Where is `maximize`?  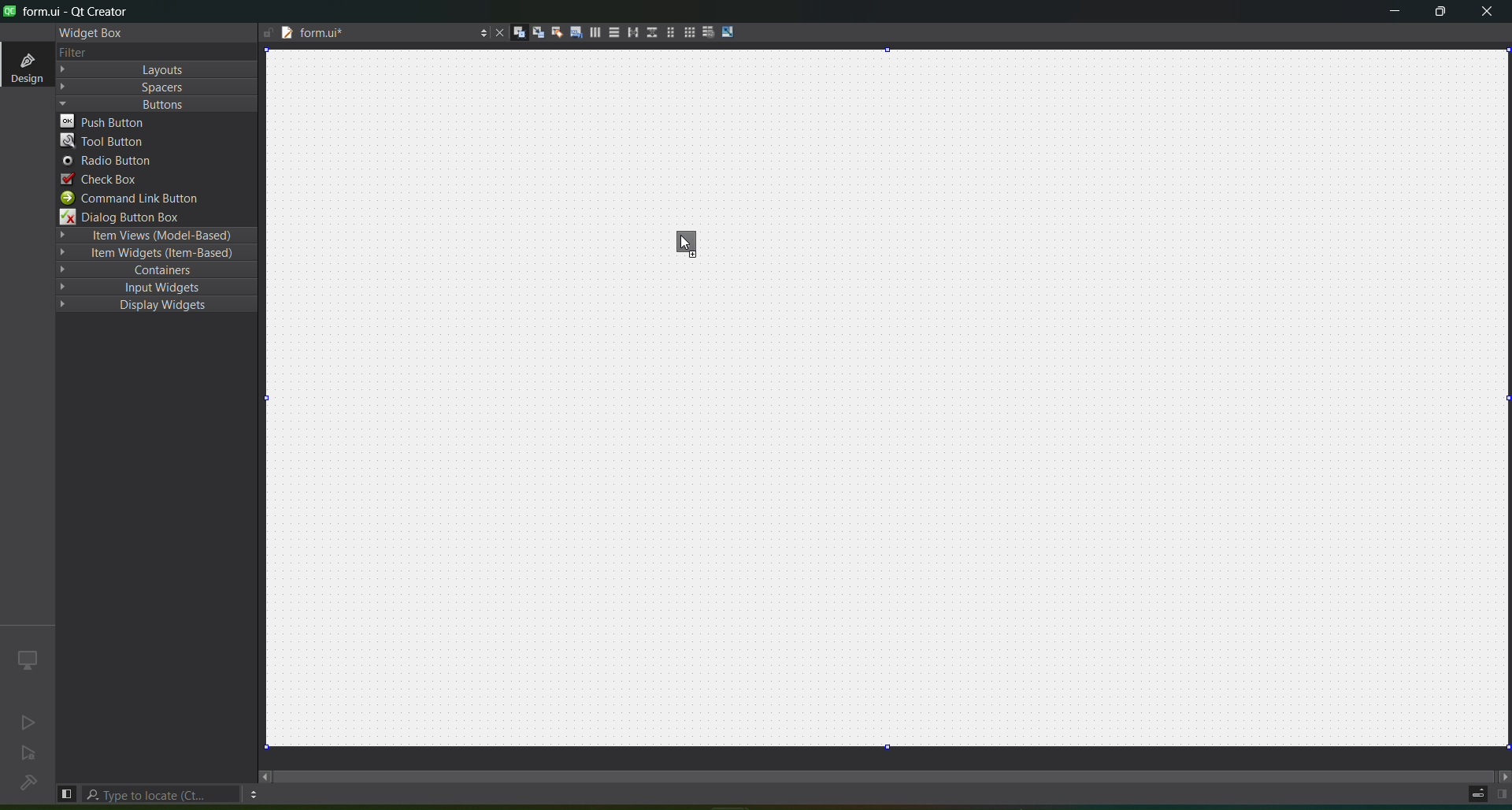
maximize is located at coordinates (1438, 13).